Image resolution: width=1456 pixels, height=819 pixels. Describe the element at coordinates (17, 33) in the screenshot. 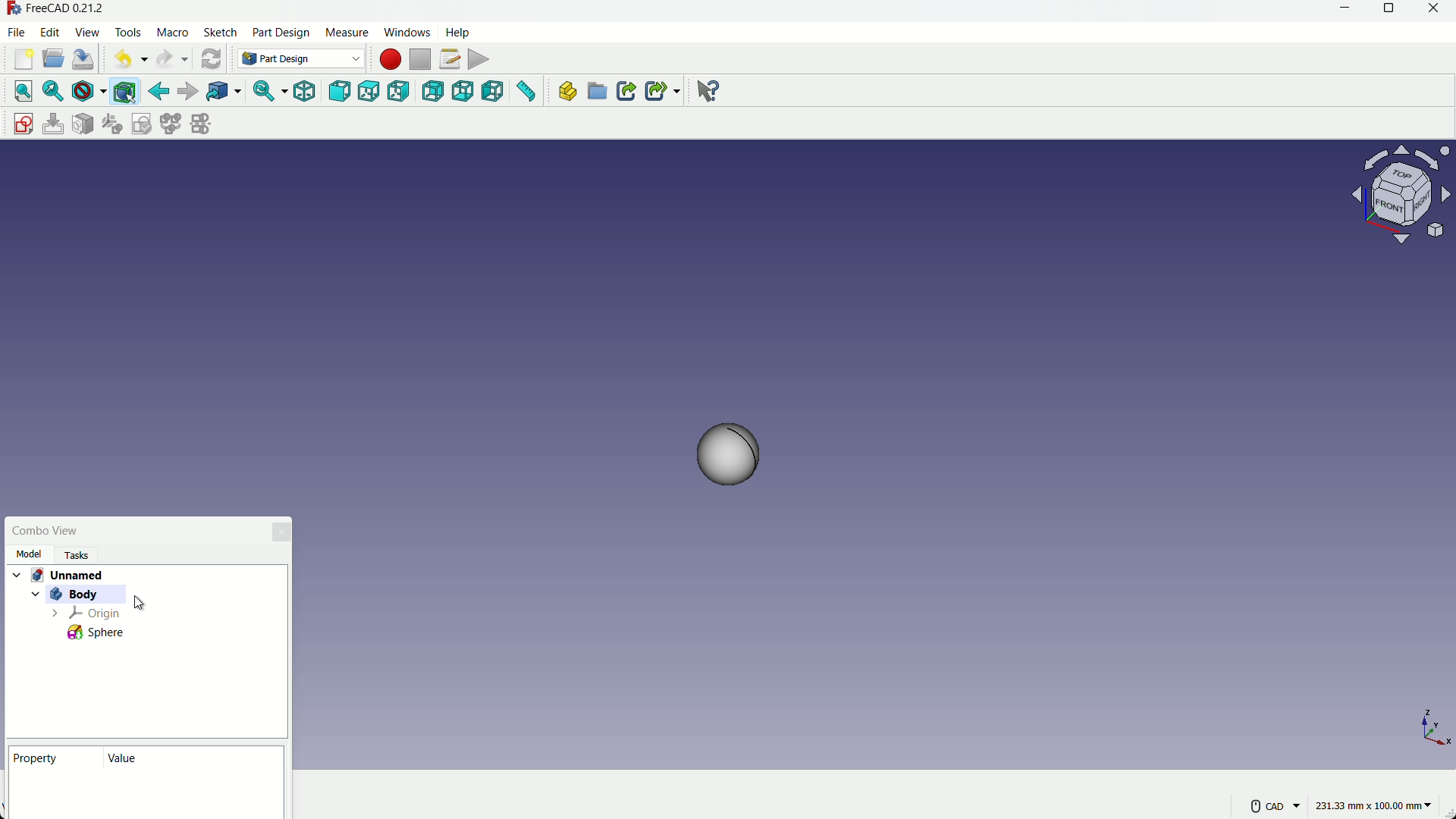

I see `file menu` at that location.